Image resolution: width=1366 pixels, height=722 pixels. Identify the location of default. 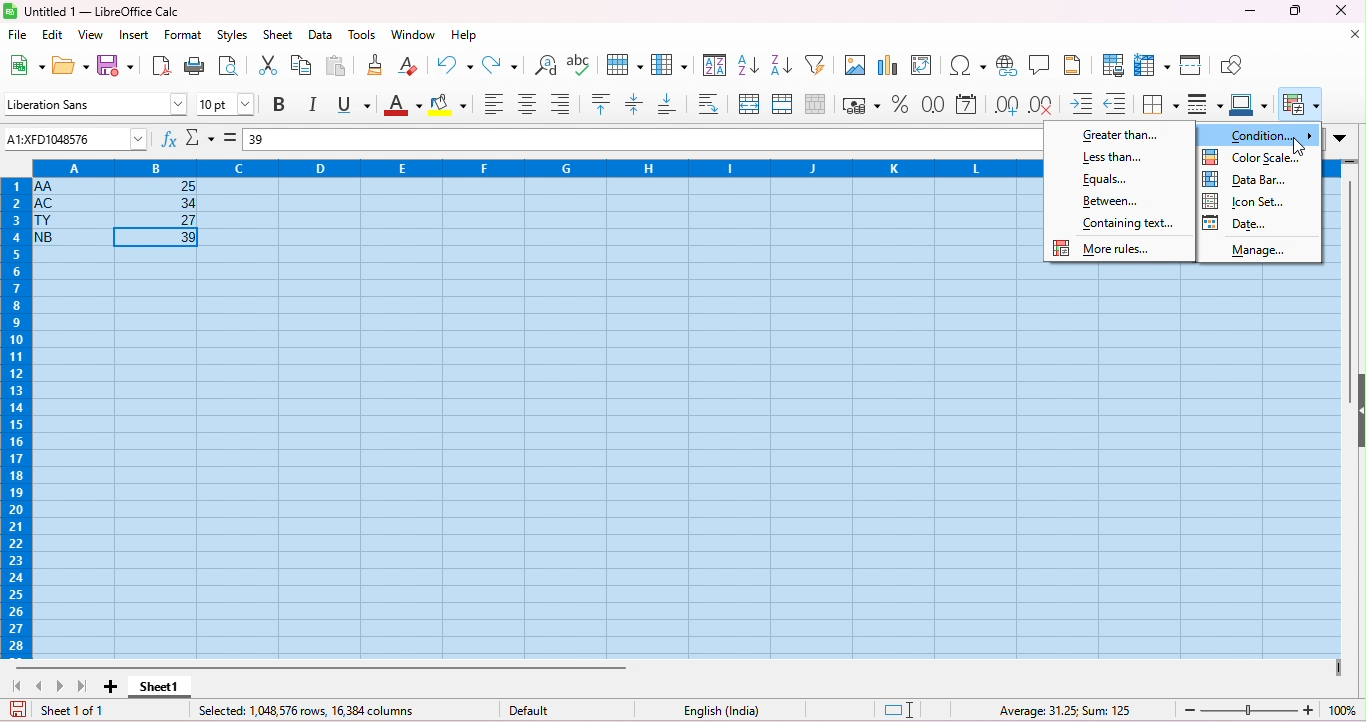
(536, 711).